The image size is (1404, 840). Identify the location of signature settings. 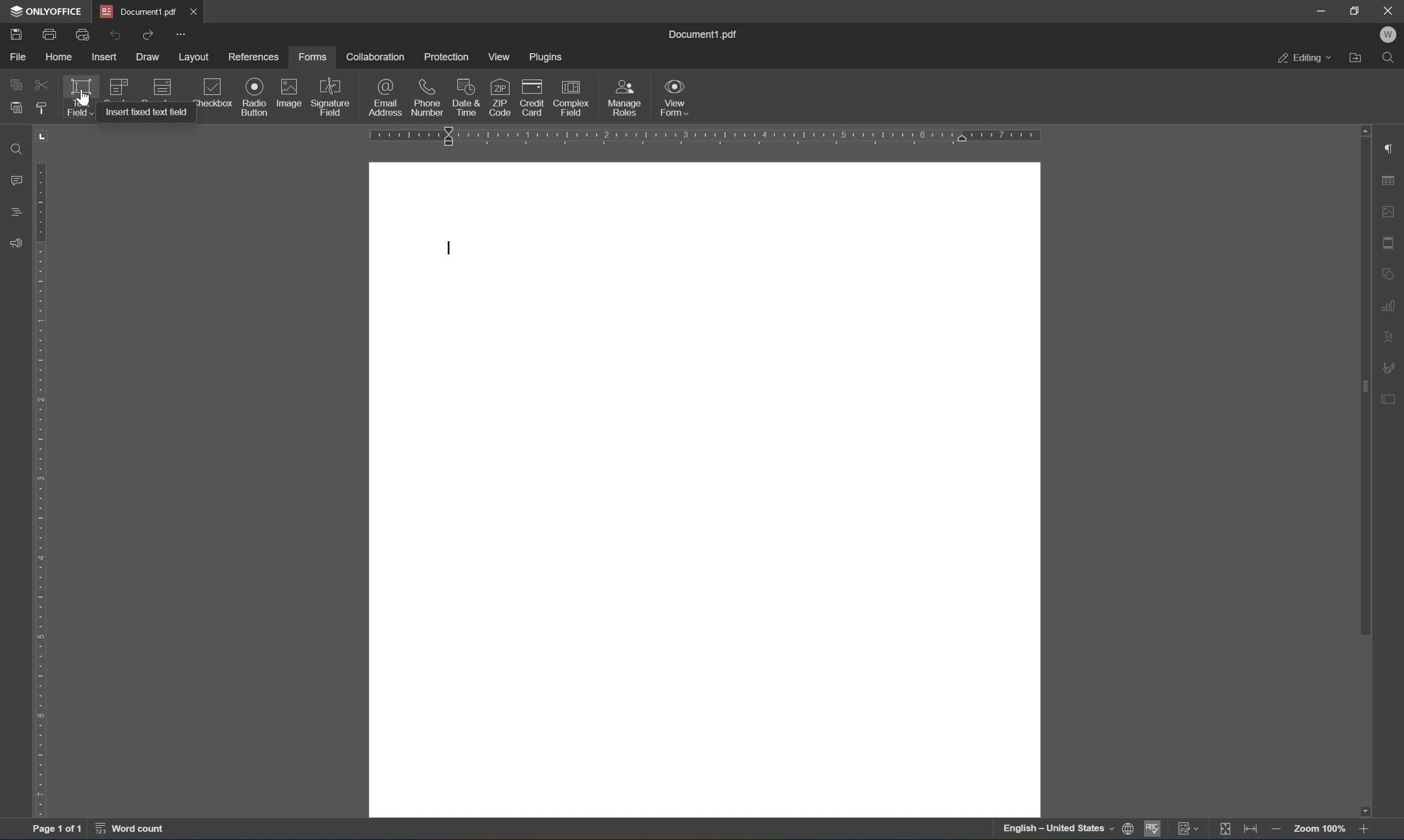
(1390, 370).